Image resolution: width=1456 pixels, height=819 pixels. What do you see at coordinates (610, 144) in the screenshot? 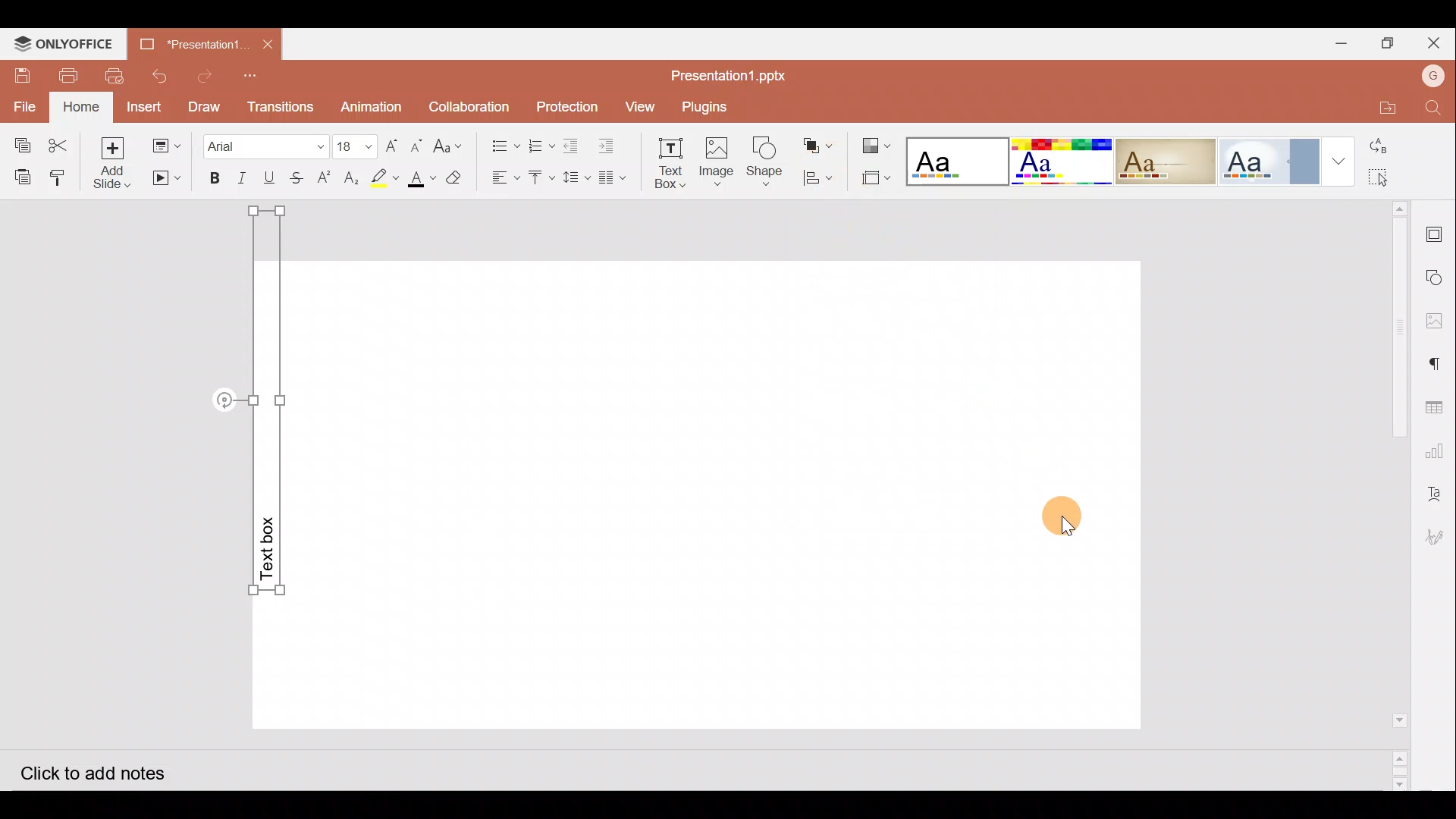
I see `Increase indent` at bounding box center [610, 144].